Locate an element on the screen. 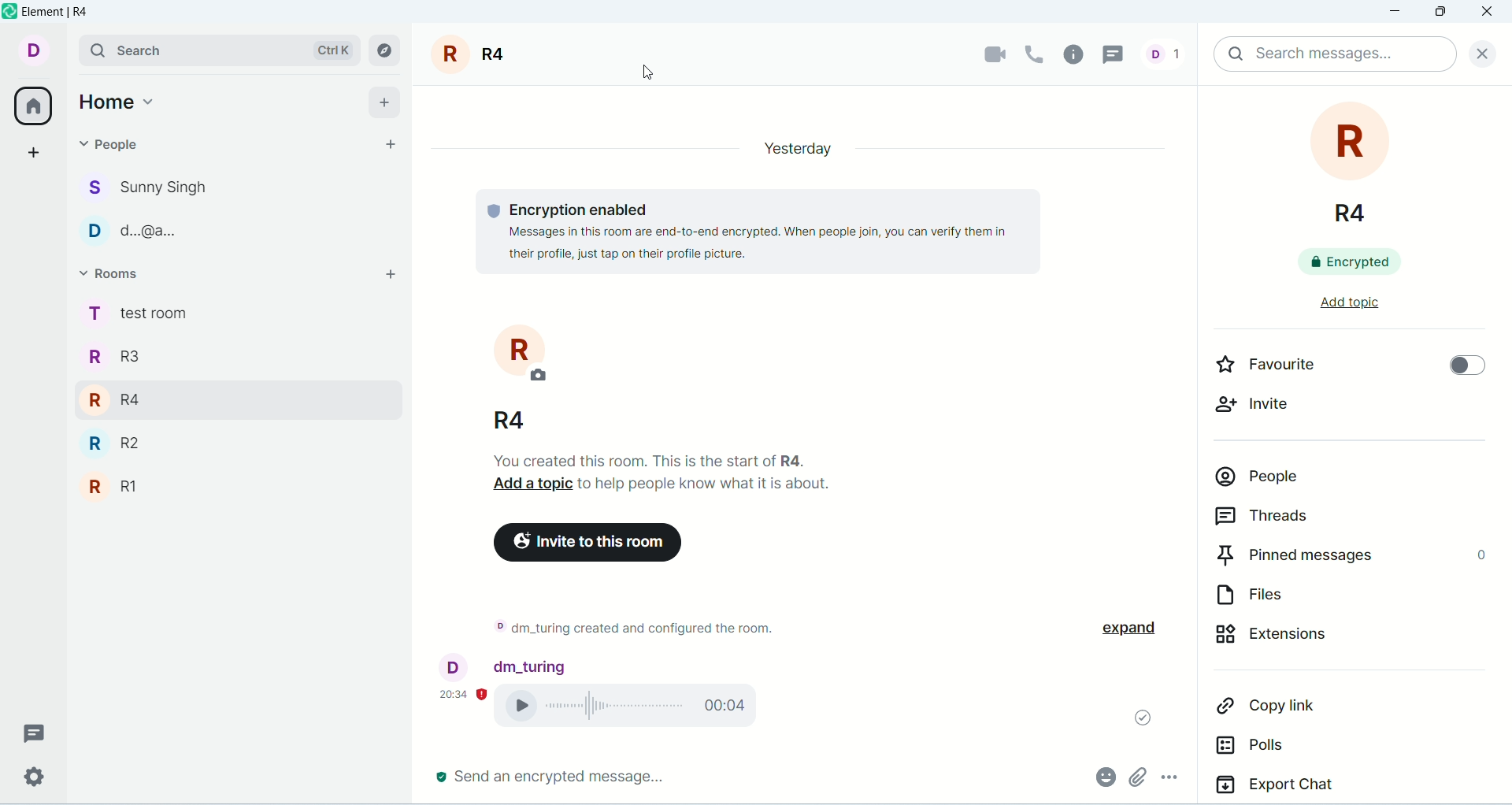 This screenshot has width=1512, height=805. extensions is located at coordinates (1327, 643).